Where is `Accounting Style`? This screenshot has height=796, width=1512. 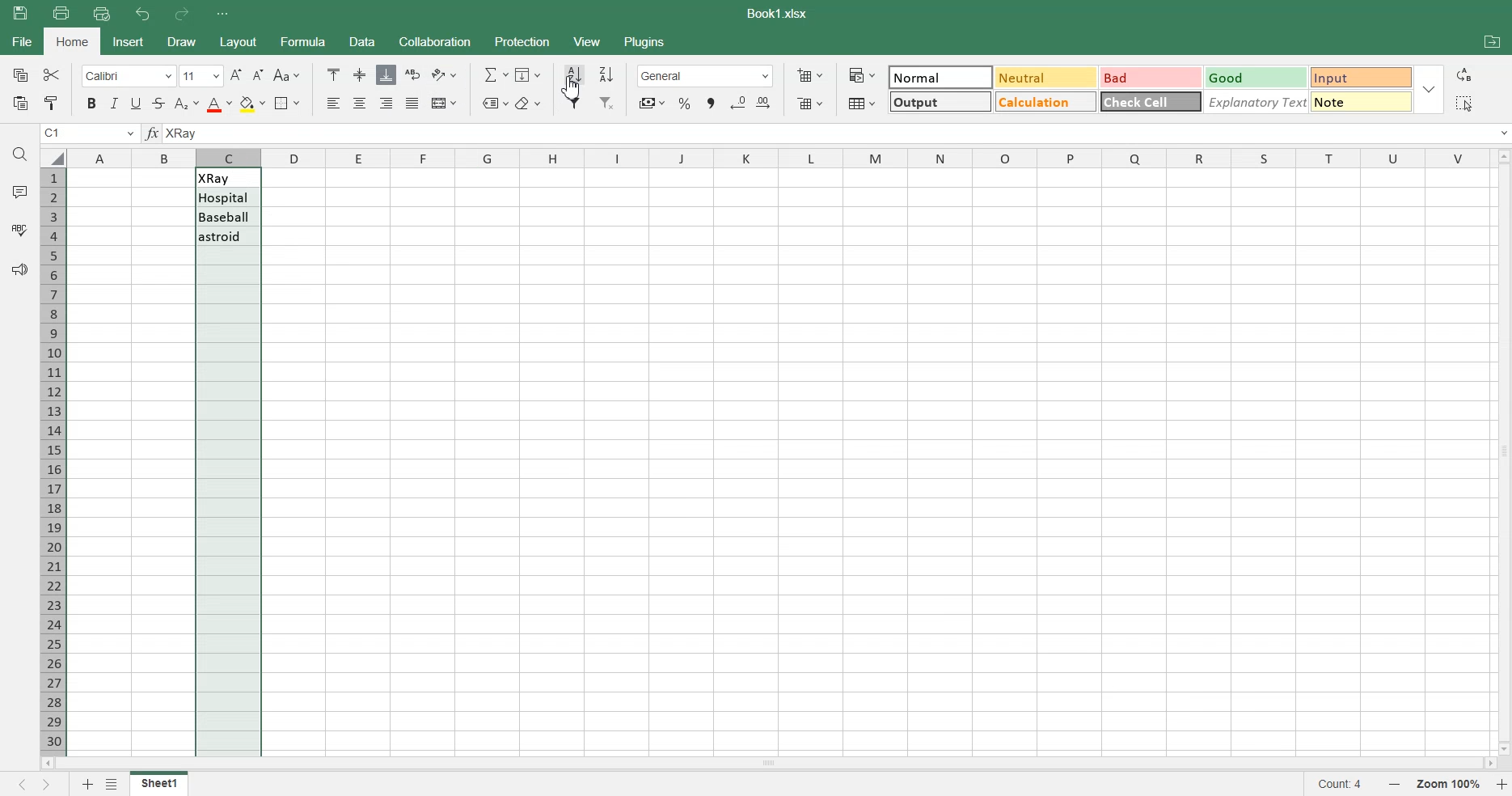
Accounting Style is located at coordinates (650, 103).